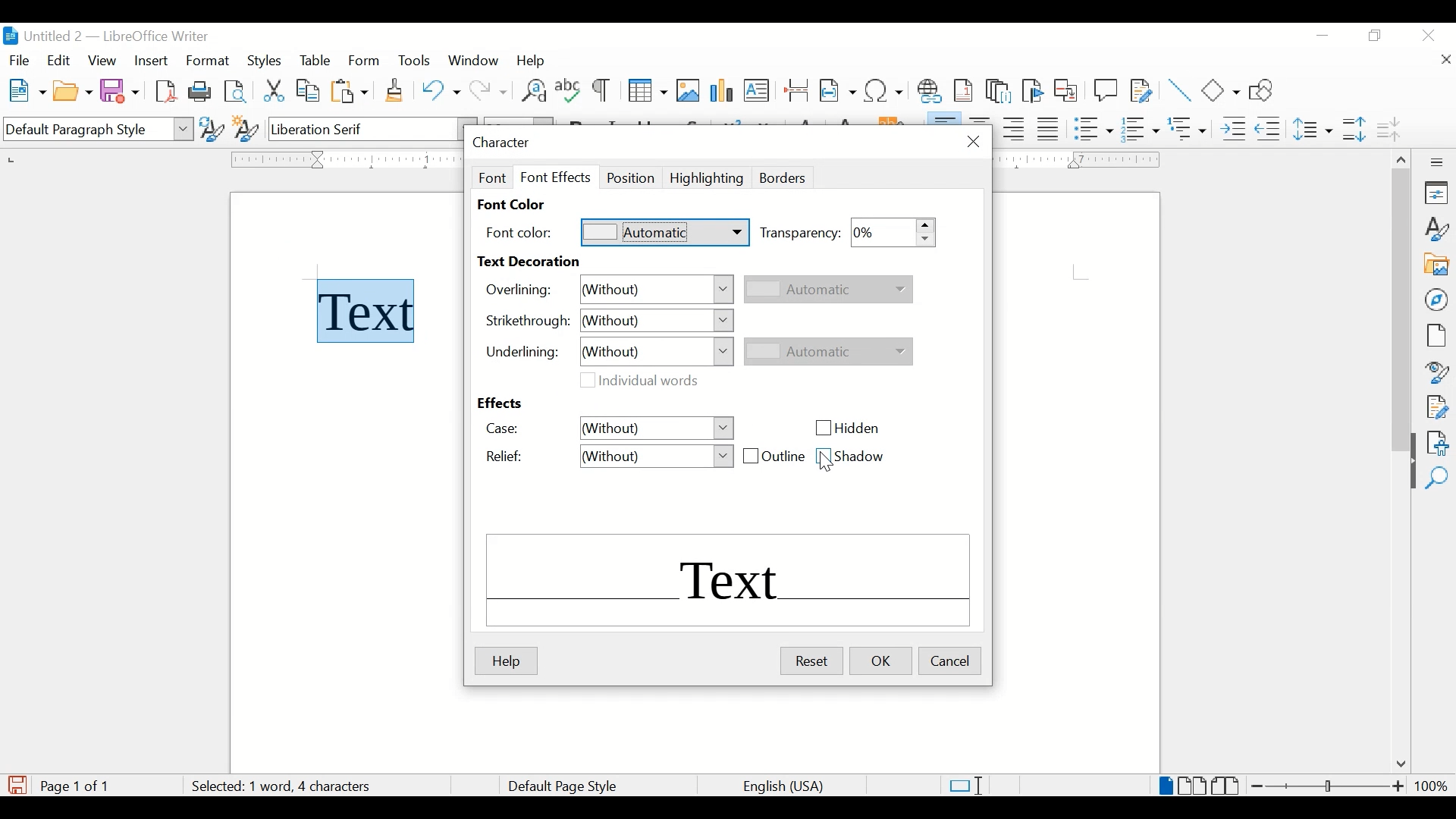  Describe the element at coordinates (200, 90) in the screenshot. I see `print` at that location.